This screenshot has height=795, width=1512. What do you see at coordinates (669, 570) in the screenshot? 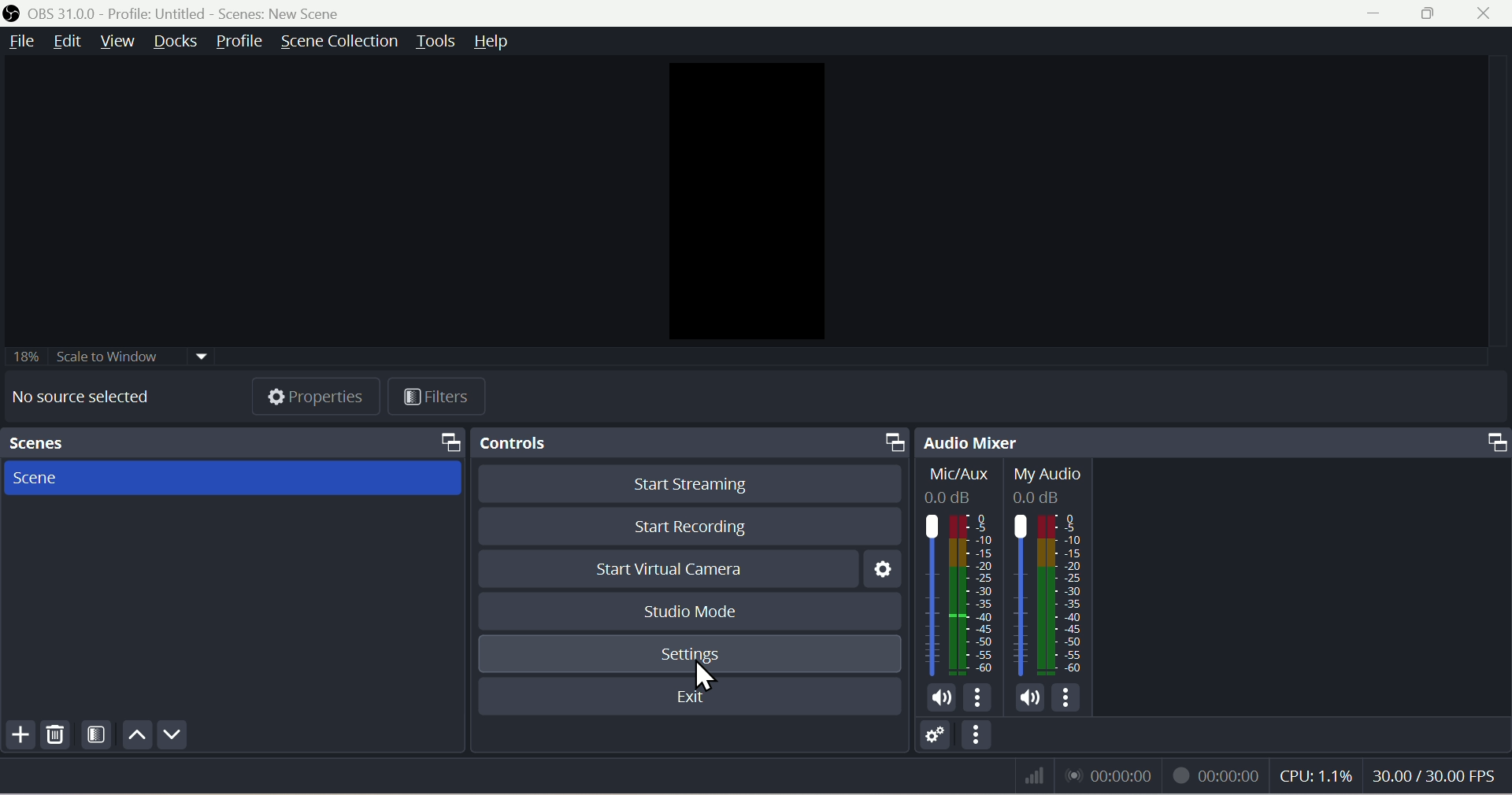
I see `Start Virtual Camera` at bounding box center [669, 570].